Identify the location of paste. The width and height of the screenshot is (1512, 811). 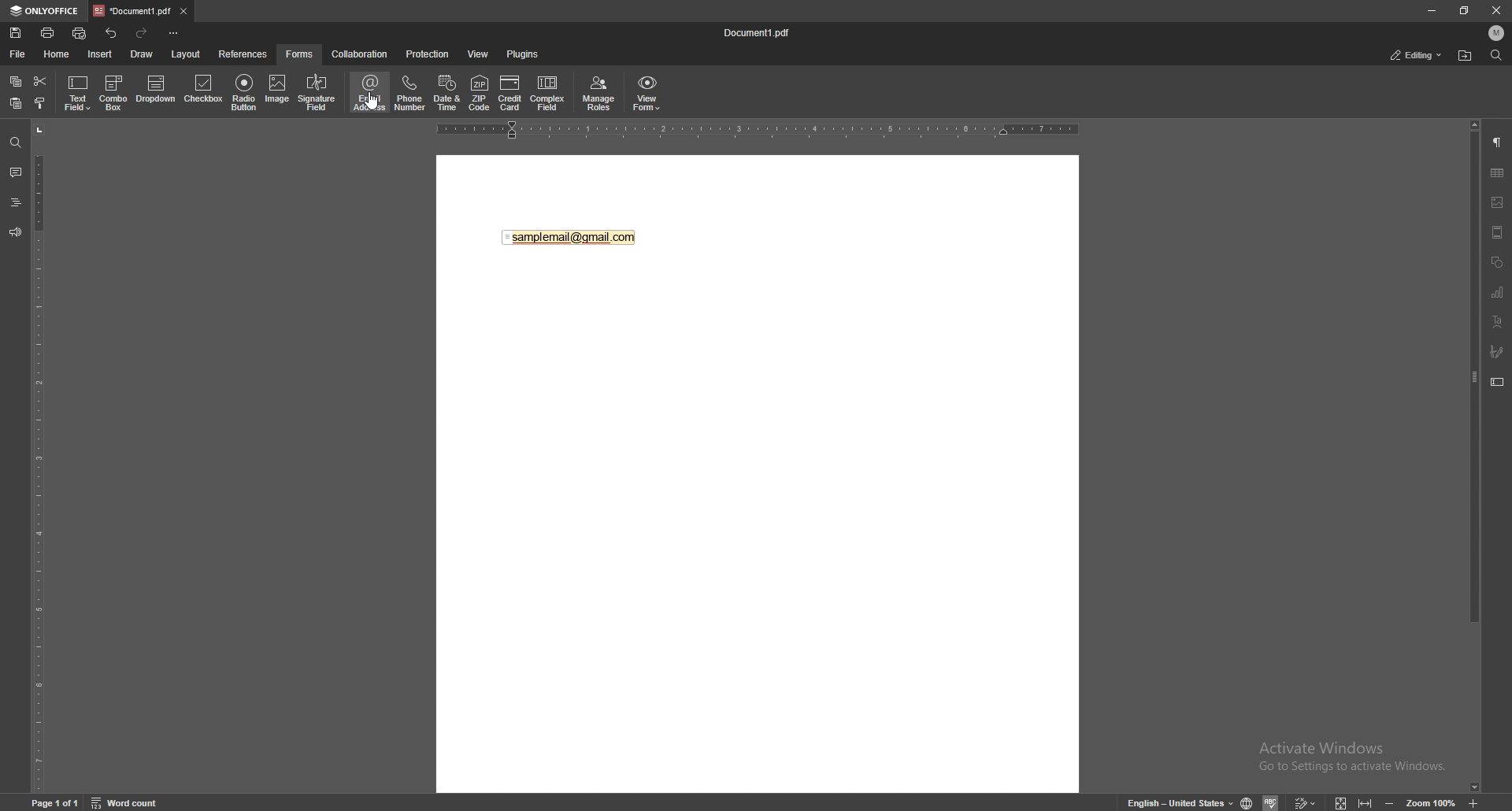
(15, 103).